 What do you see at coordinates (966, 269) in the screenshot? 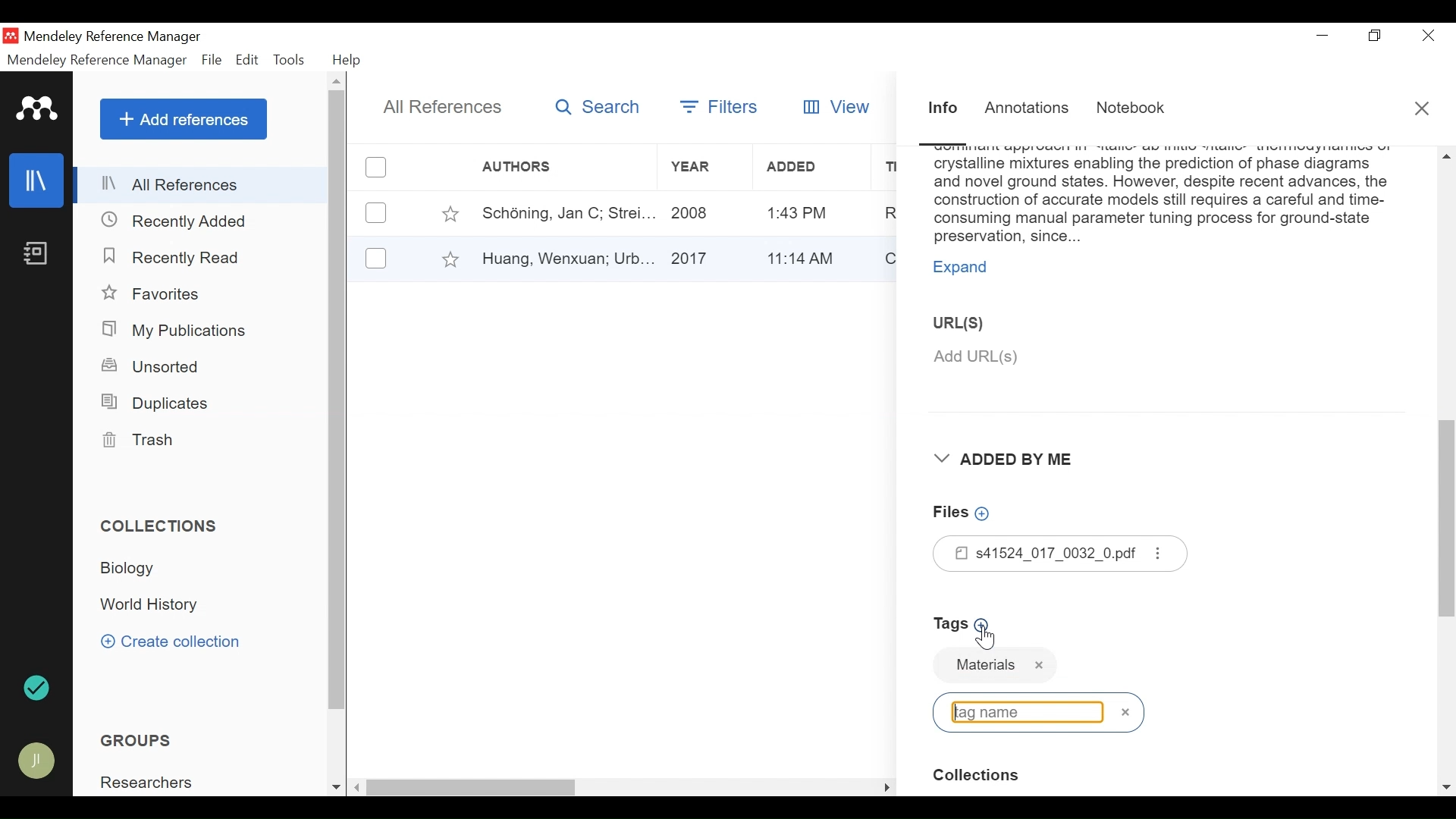
I see `Expand` at bounding box center [966, 269].